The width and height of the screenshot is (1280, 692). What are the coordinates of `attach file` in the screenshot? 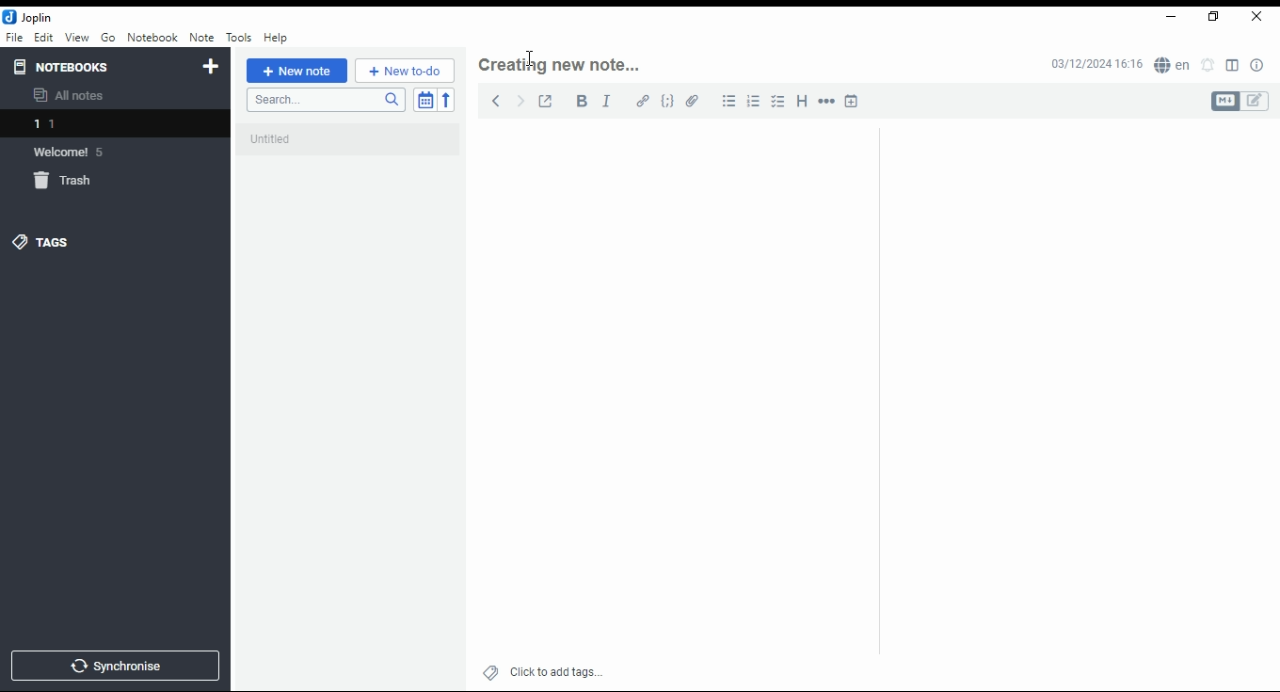 It's located at (693, 100).